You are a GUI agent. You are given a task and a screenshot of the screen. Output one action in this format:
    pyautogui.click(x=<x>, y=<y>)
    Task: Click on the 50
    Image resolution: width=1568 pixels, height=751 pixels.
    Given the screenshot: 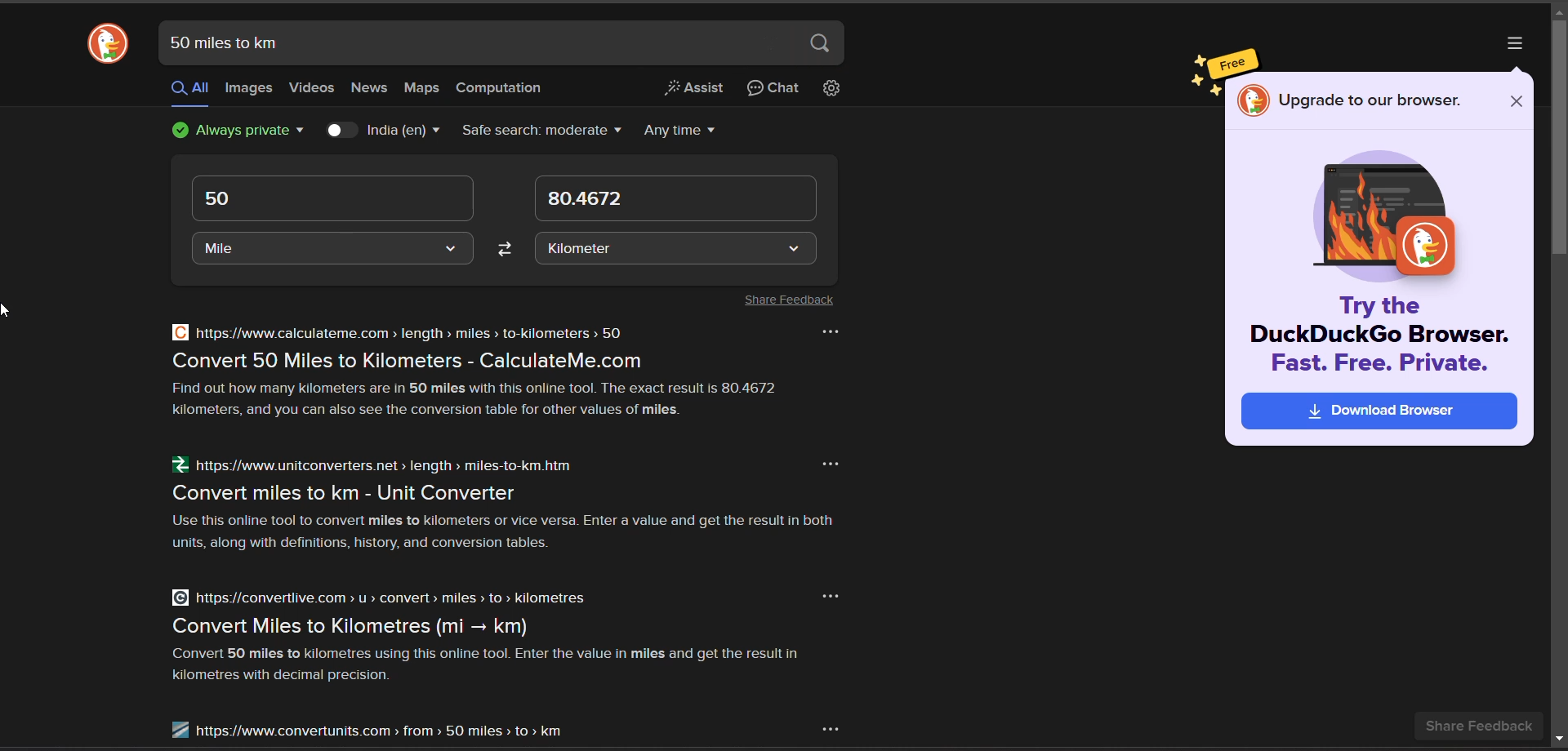 What is the action you would take?
    pyautogui.click(x=224, y=198)
    